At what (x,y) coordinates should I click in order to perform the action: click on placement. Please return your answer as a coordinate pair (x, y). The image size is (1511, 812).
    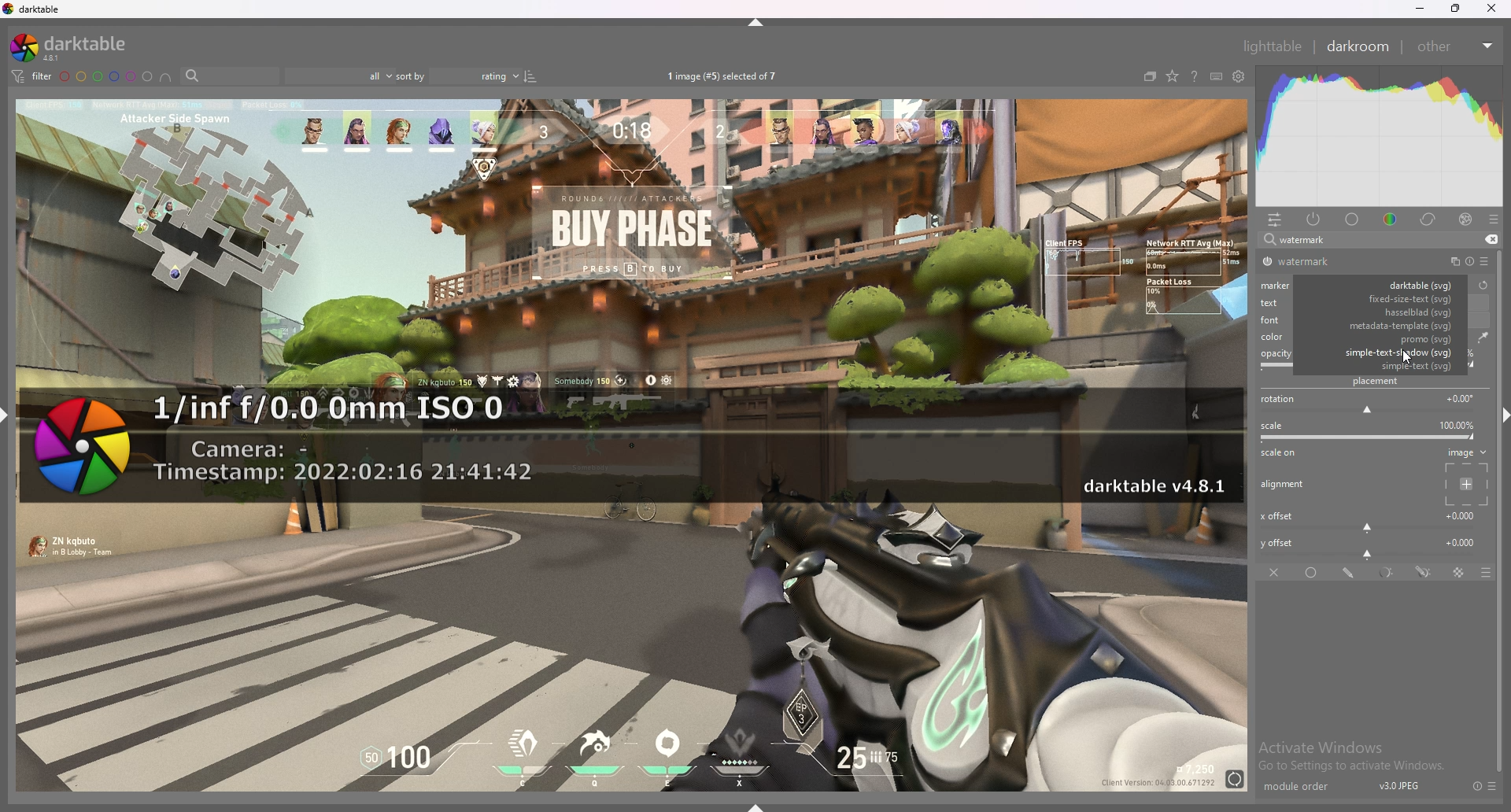
    Looking at the image, I should click on (1379, 381).